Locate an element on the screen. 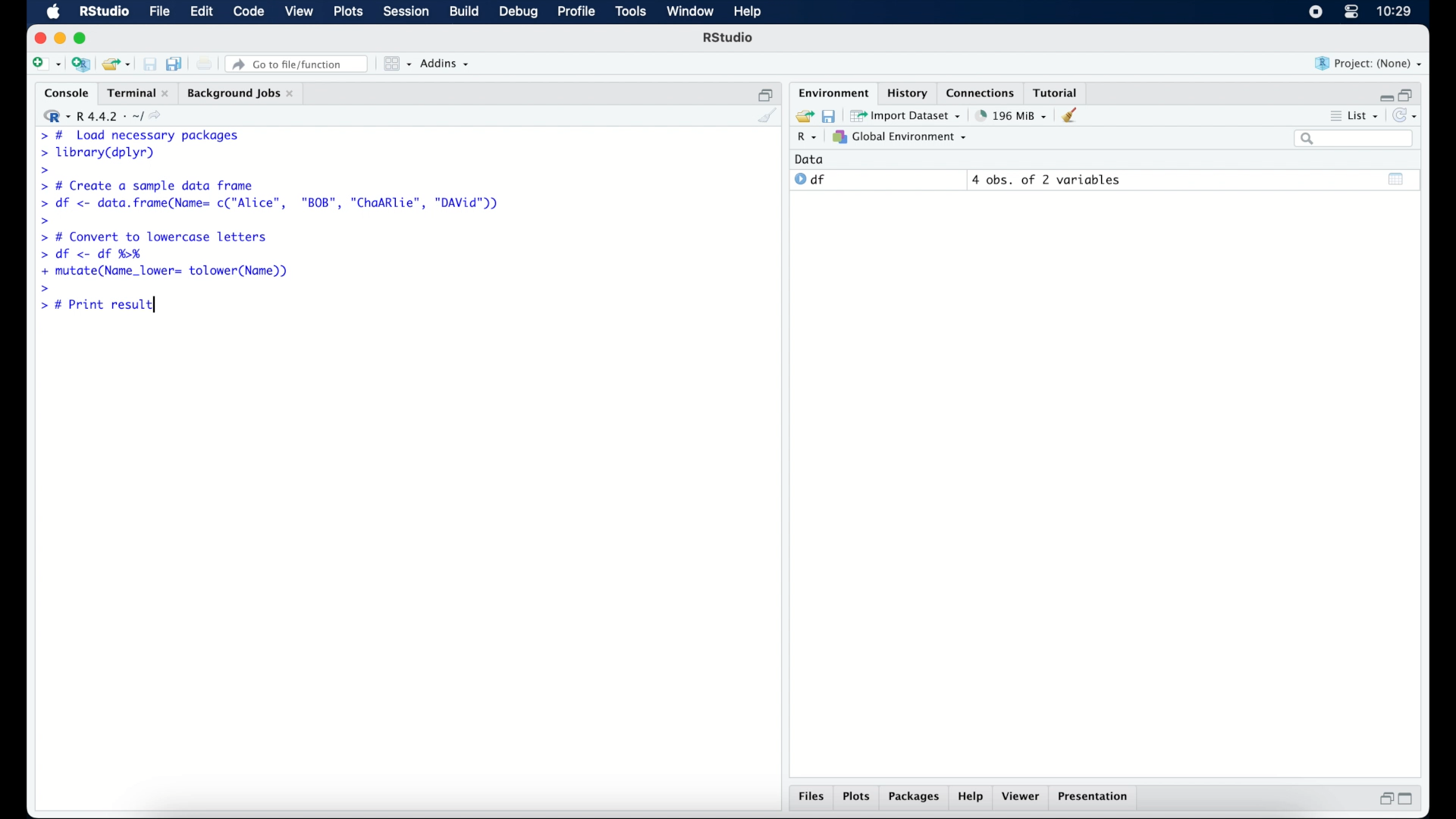 Image resolution: width=1456 pixels, height=819 pixels. > # Load necessary packages| is located at coordinates (138, 134).